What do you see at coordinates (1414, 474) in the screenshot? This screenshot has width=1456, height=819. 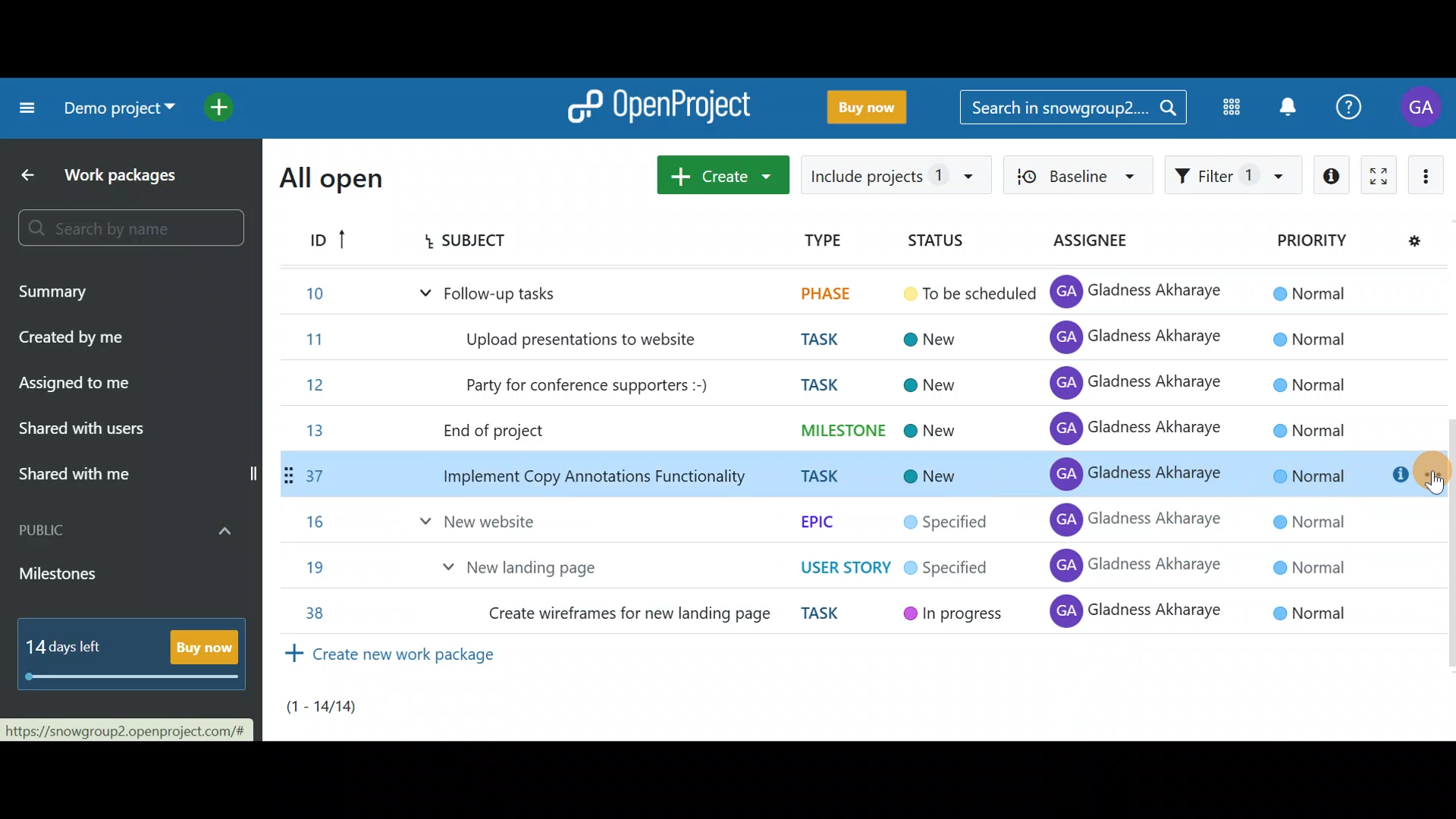 I see `Cursor` at bounding box center [1414, 474].